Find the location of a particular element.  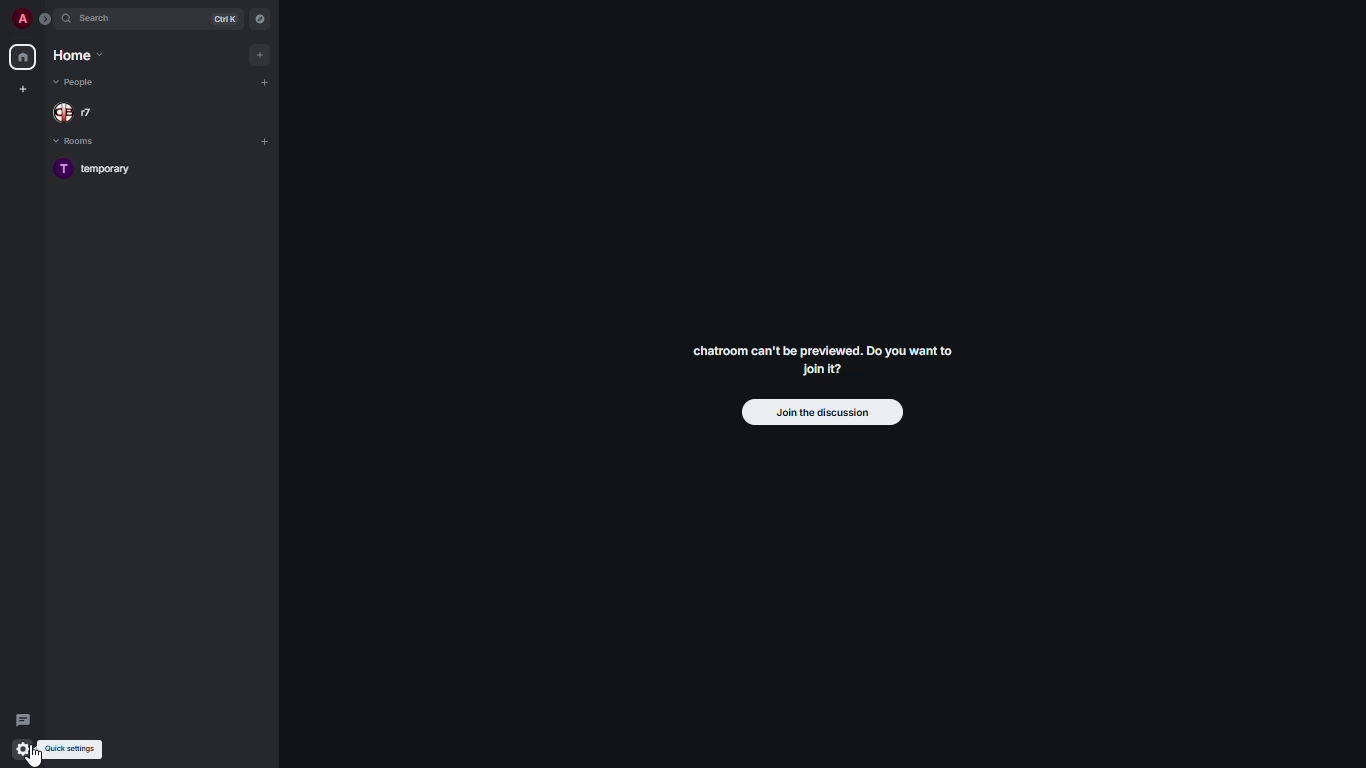

expand is located at coordinates (48, 18).